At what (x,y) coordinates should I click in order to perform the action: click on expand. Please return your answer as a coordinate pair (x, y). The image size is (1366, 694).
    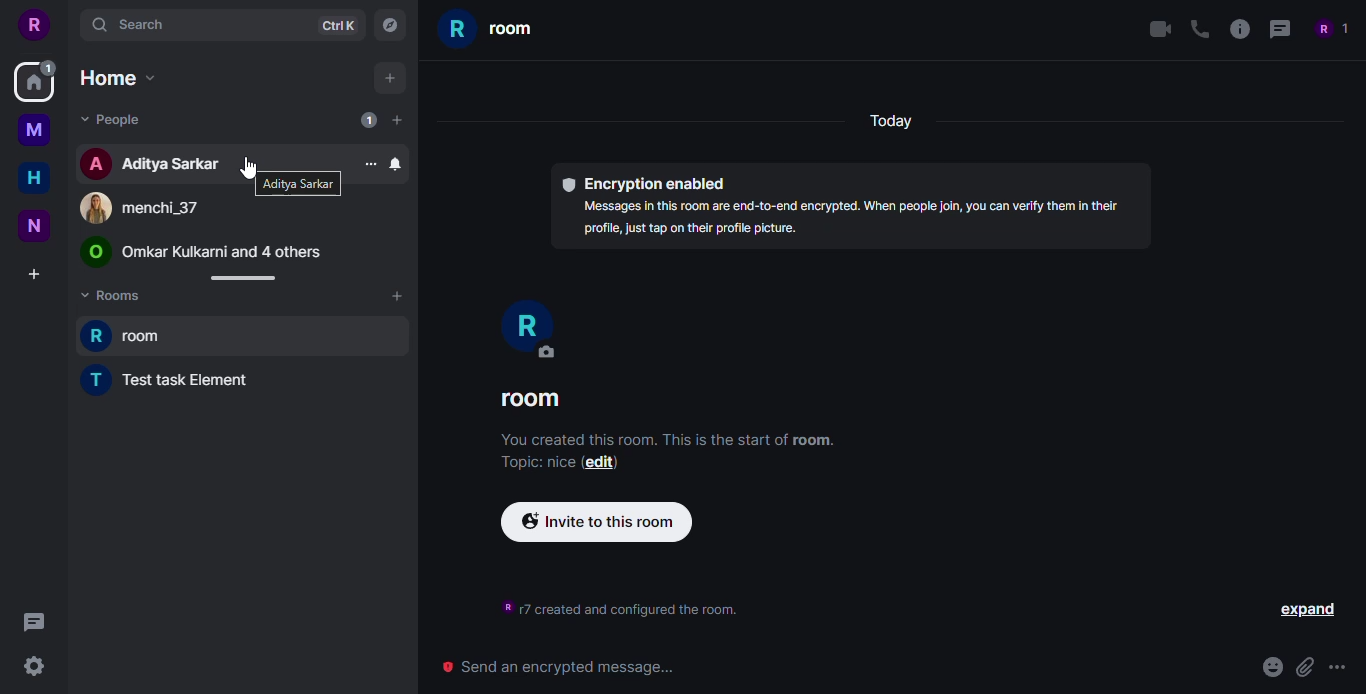
    Looking at the image, I should click on (1309, 611).